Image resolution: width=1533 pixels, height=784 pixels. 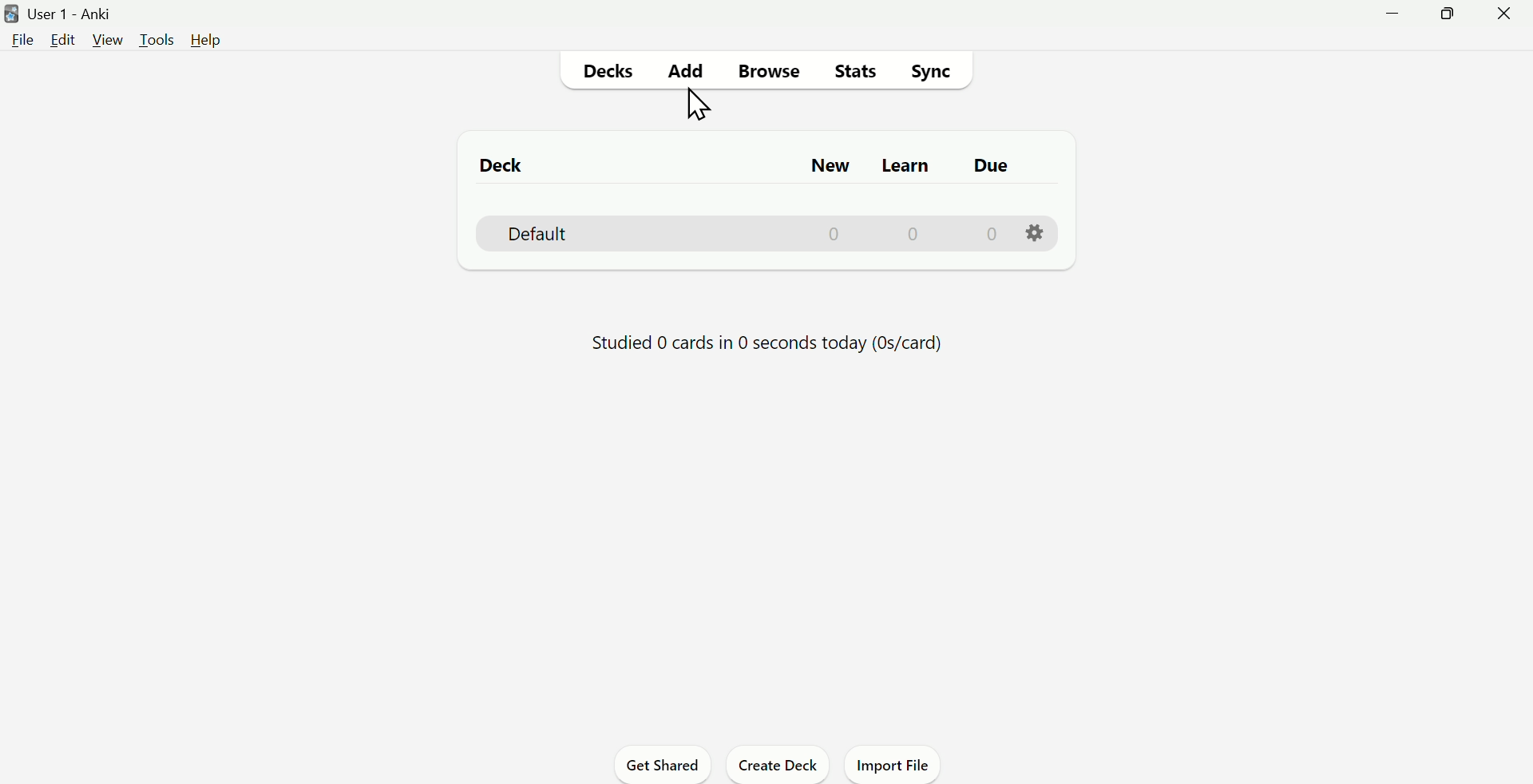 I want to click on Maximize, so click(x=1450, y=14).